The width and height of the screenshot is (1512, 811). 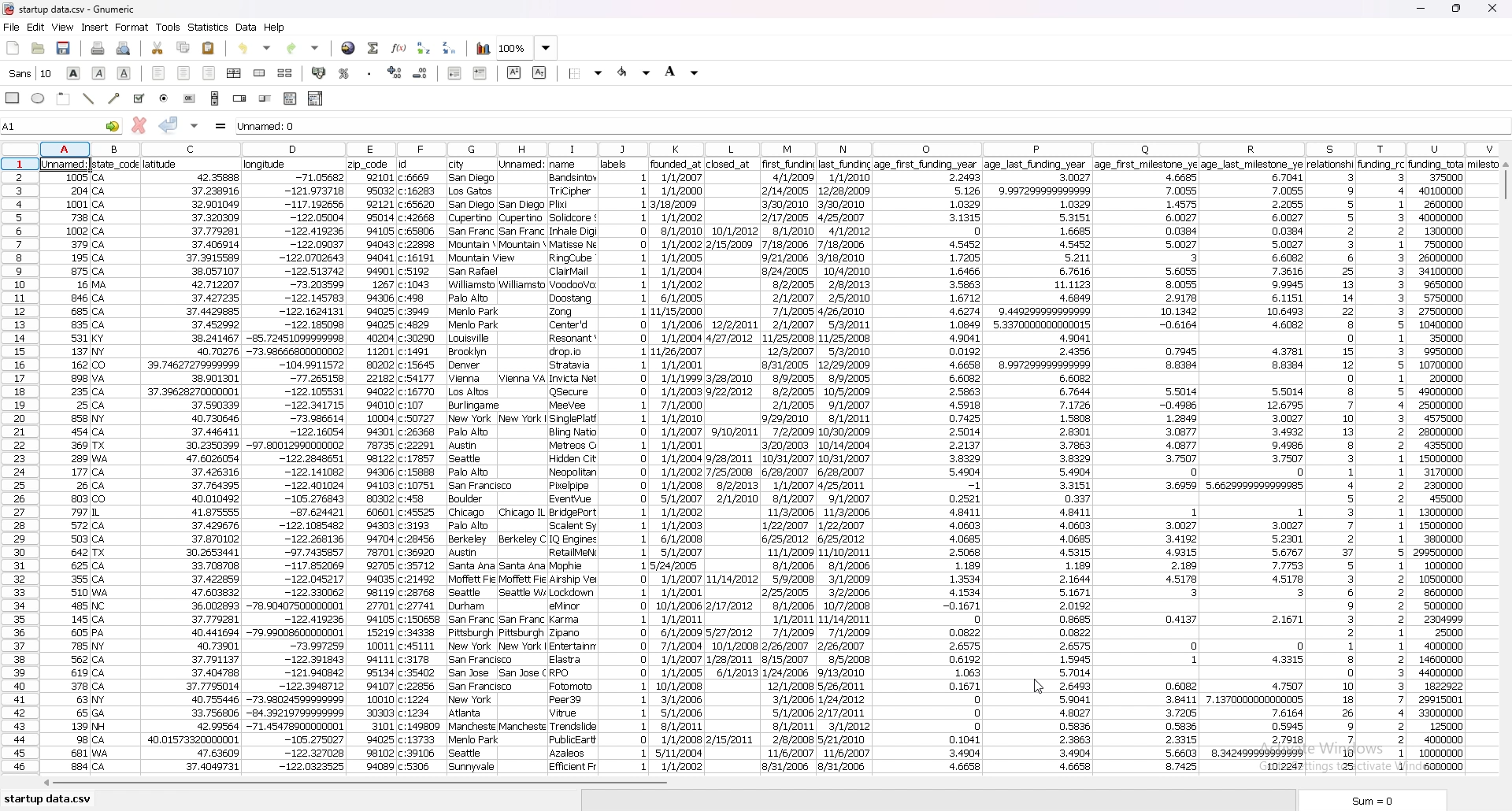 I want to click on view, so click(x=63, y=27).